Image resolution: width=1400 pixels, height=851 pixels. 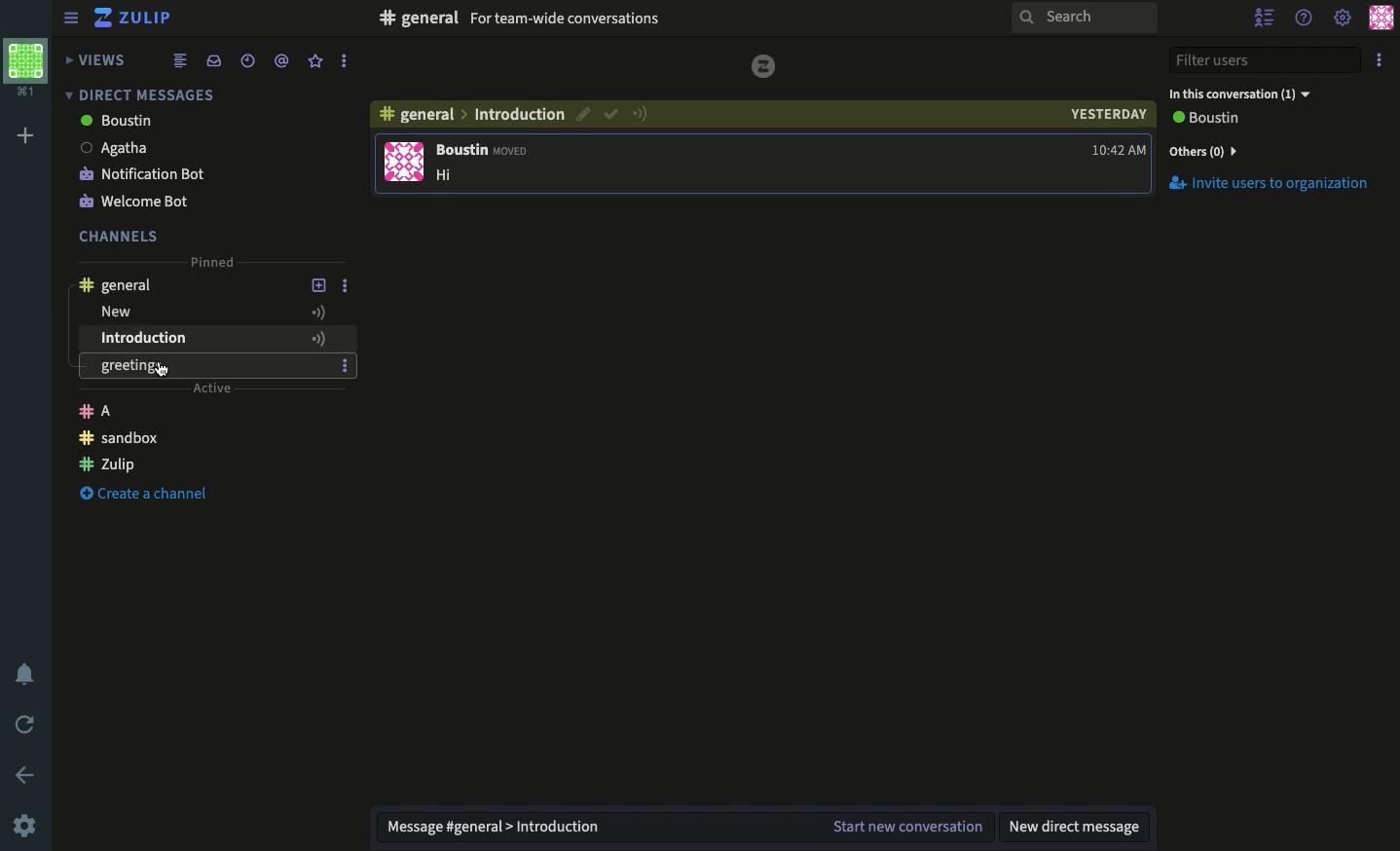 What do you see at coordinates (640, 113) in the screenshot?
I see `Active` at bounding box center [640, 113].